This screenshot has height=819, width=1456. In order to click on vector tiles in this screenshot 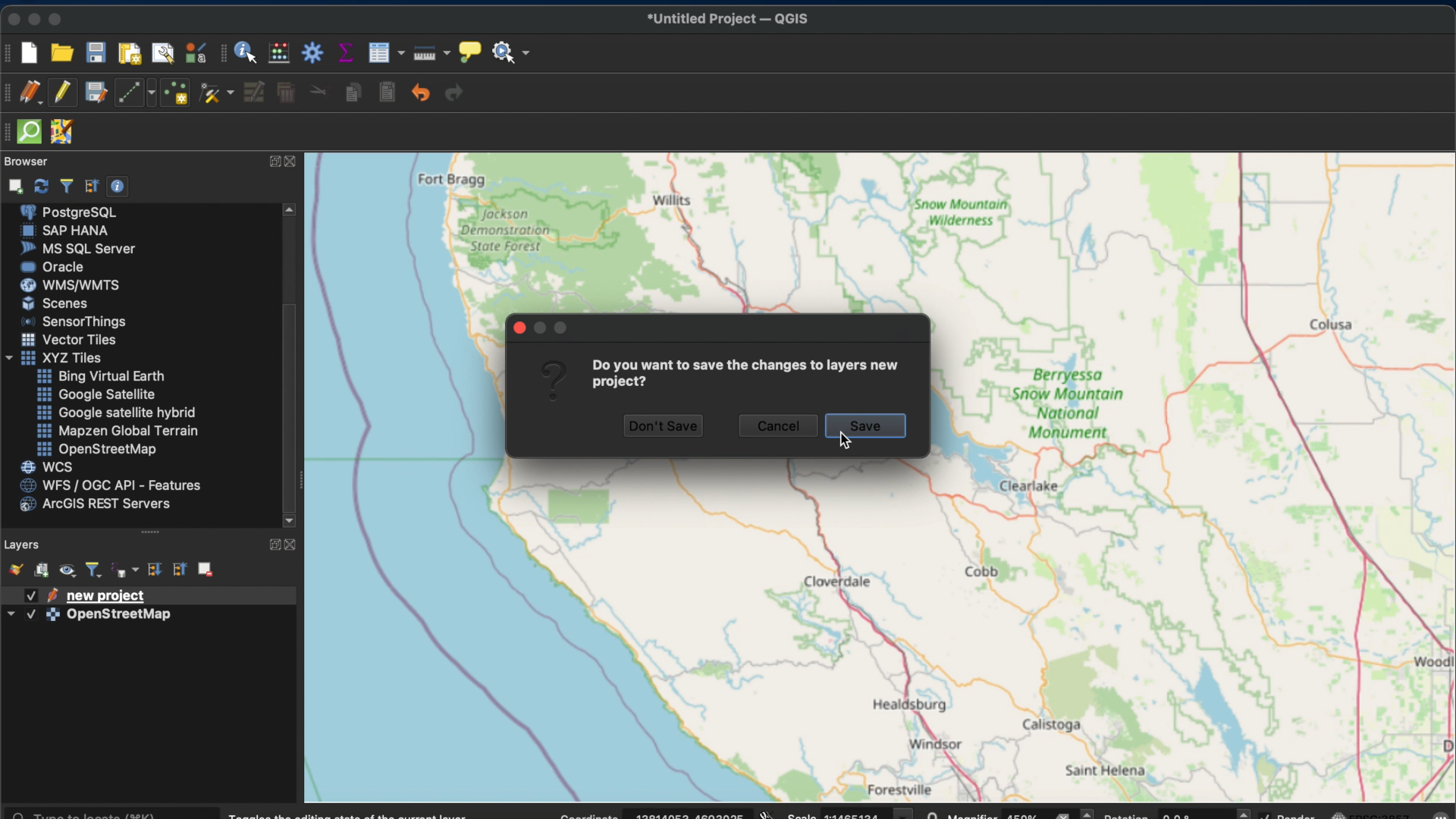, I will do `click(70, 340)`.